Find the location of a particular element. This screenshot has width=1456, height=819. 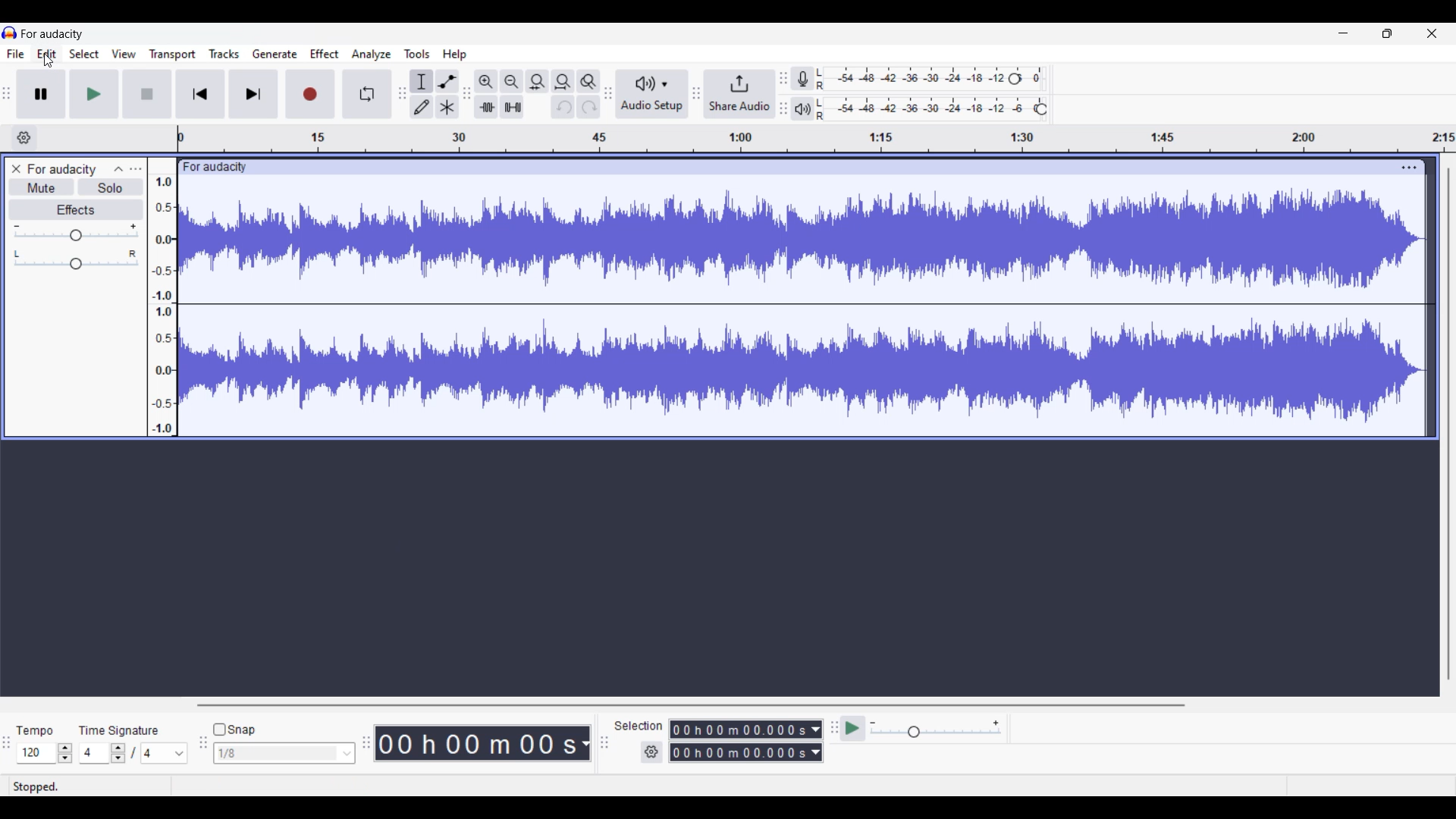

Current status of track is located at coordinates (36, 787).